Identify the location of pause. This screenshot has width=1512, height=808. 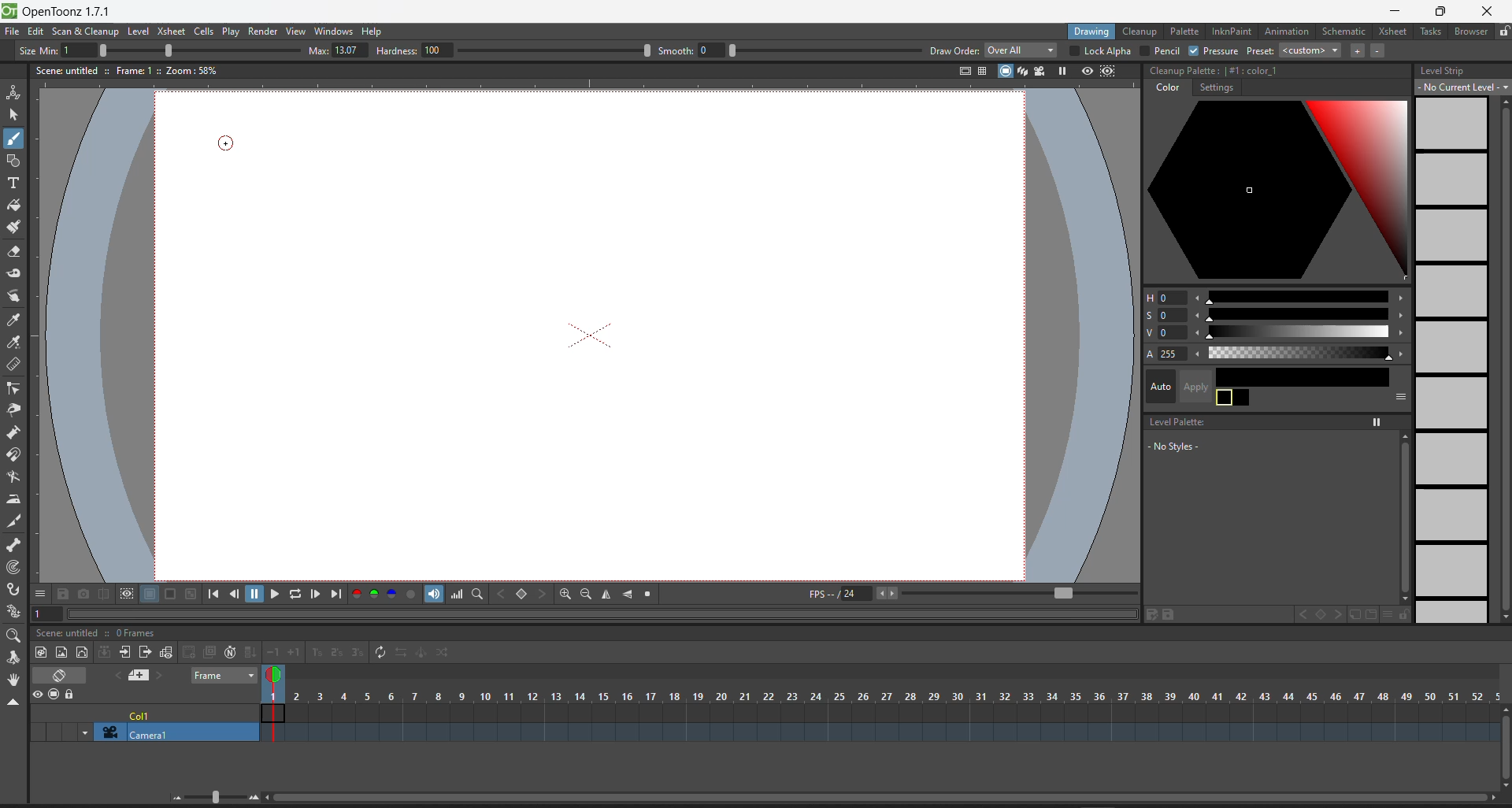
(257, 594).